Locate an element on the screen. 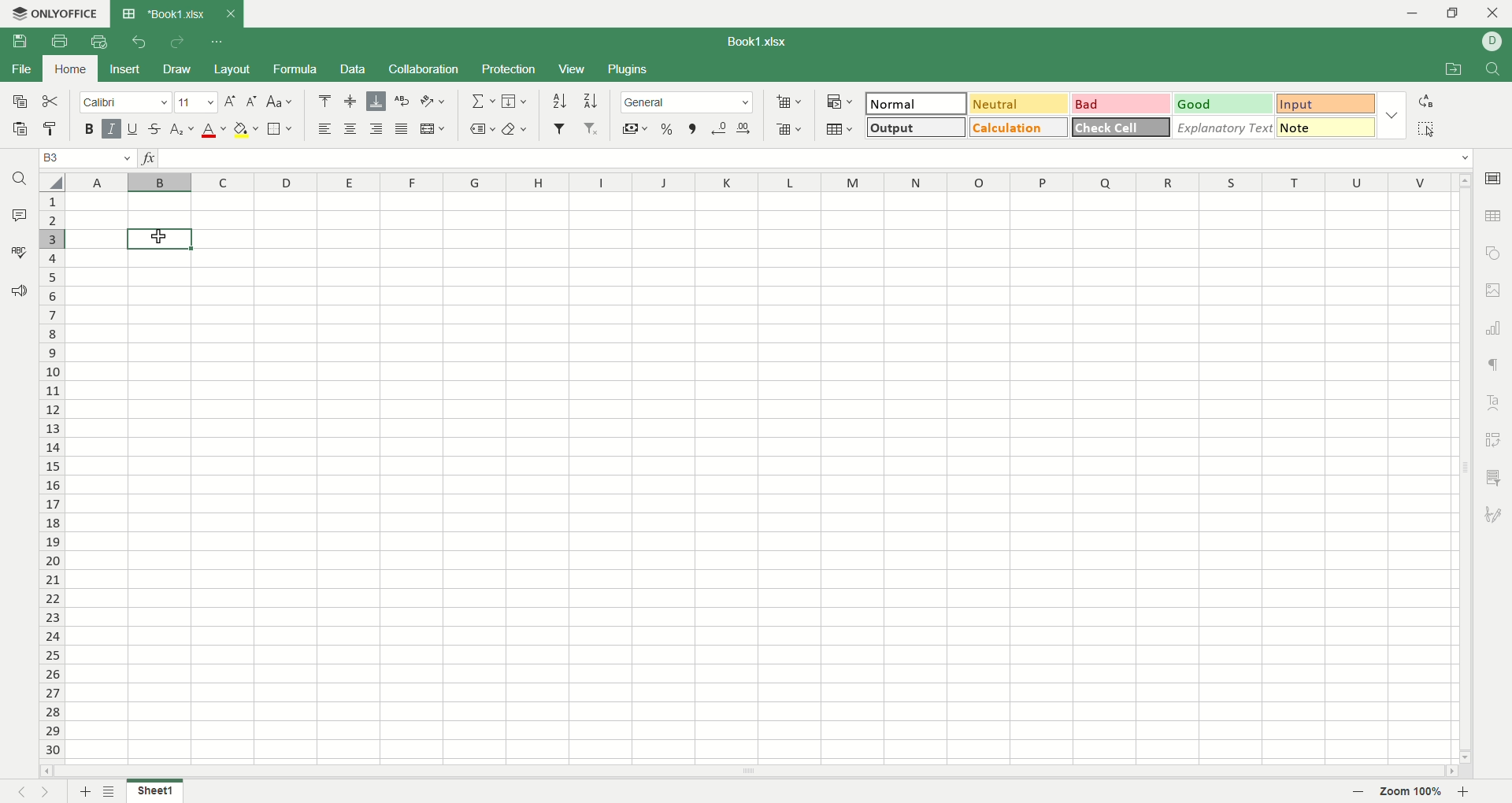 Image resolution: width=1512 pixels, height=803 pixels. pivot settings is located at coordinates (1497, 439).